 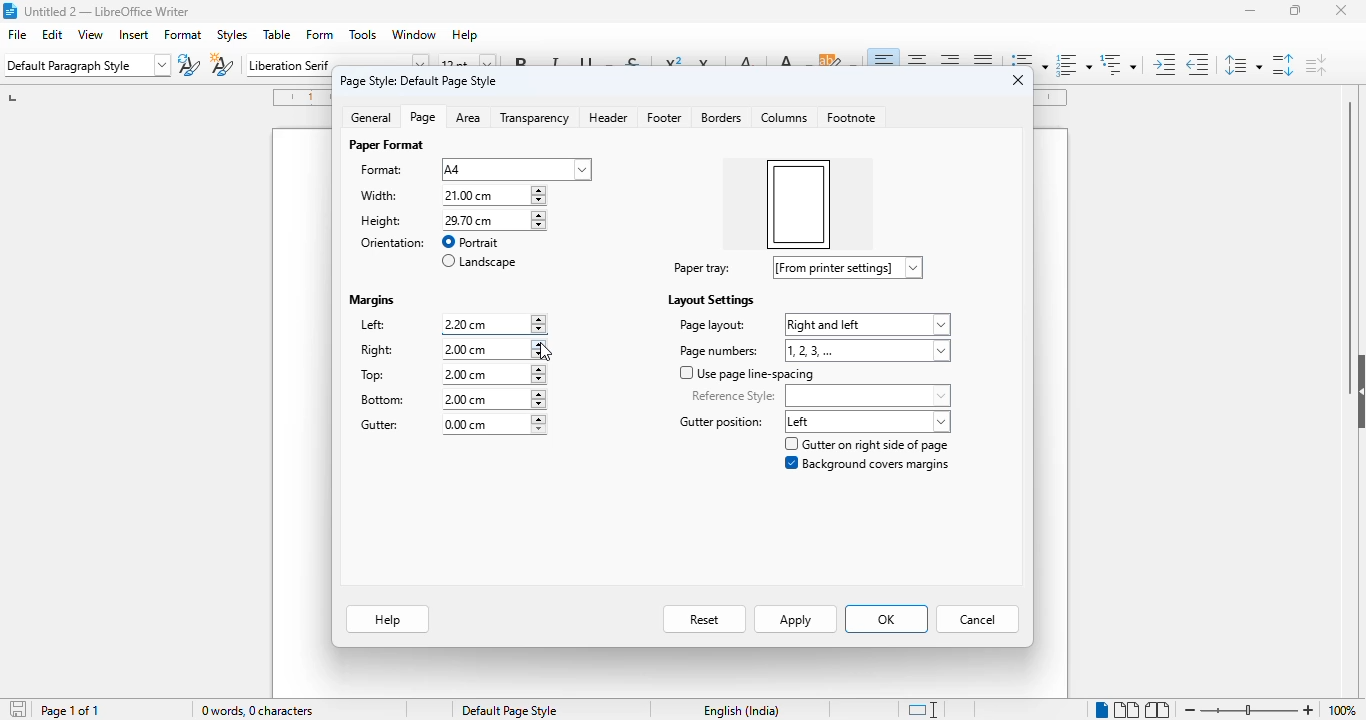 What do you see at coordinates (469, 117) in the screenshot?
I see `area` at bounding box center [469, 117].